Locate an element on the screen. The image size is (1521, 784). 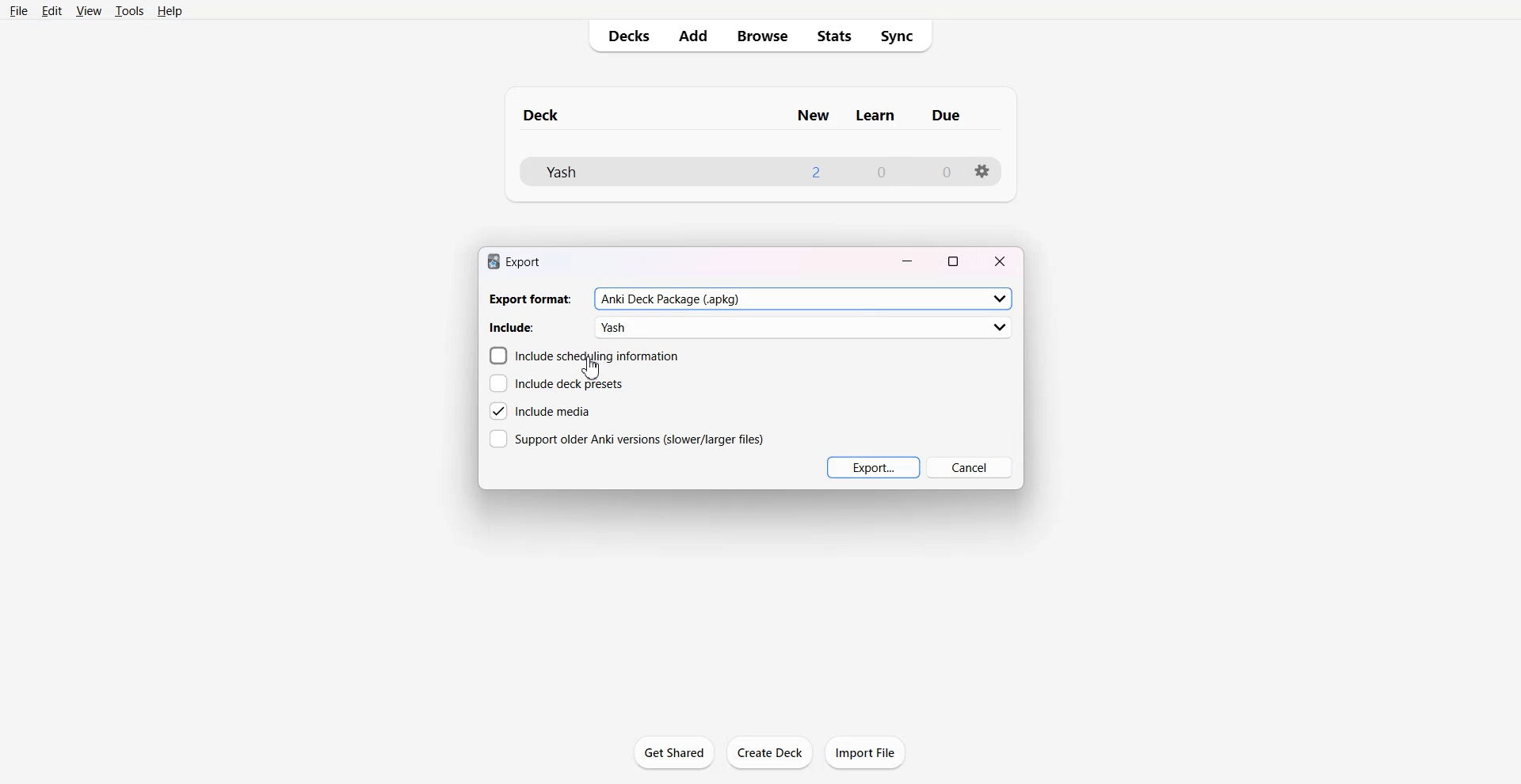
export is located at coordinates (513, 261).